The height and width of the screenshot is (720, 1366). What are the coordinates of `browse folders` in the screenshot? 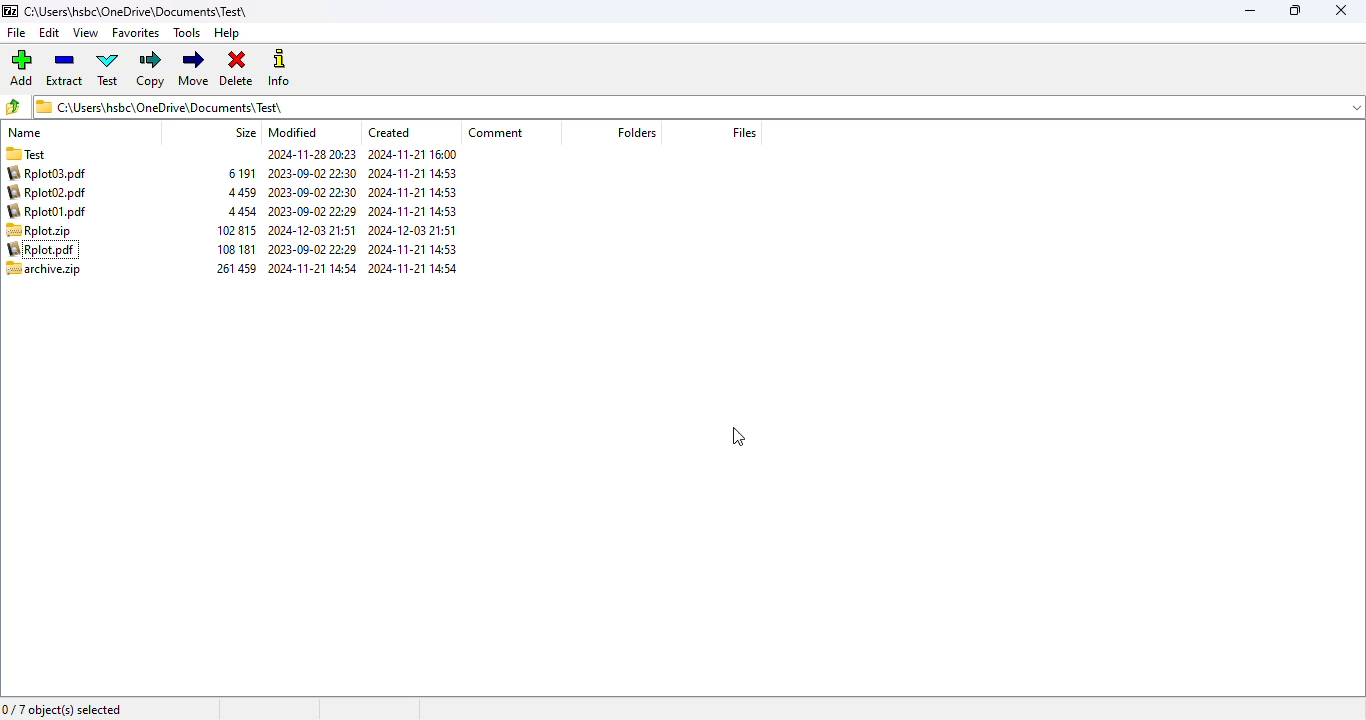 It's located at (13, 106).